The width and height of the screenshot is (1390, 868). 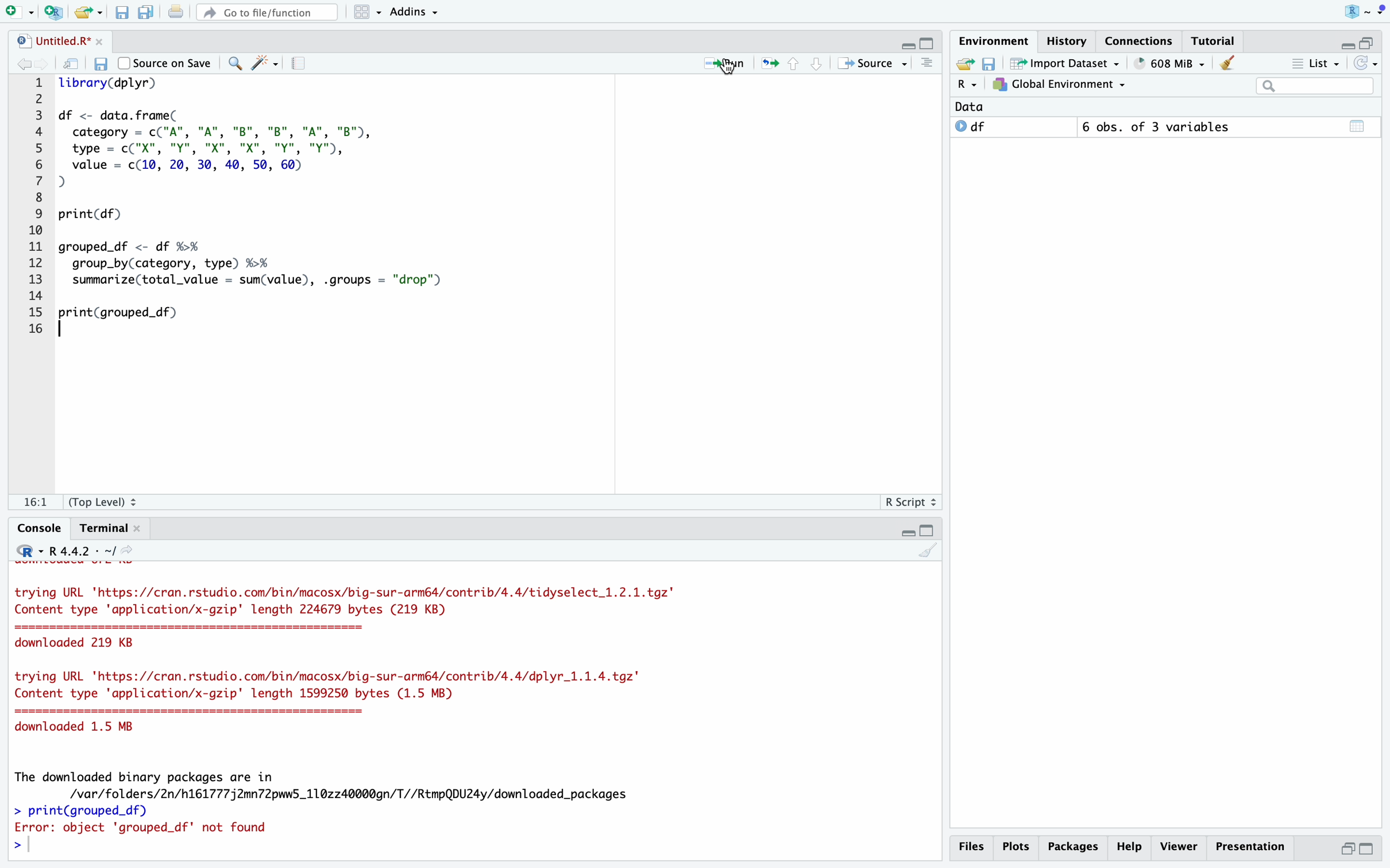 What do you see at coordinates (816, 63) in the screenshot?
I see `Go to next section` at bounding box center [816, 63].